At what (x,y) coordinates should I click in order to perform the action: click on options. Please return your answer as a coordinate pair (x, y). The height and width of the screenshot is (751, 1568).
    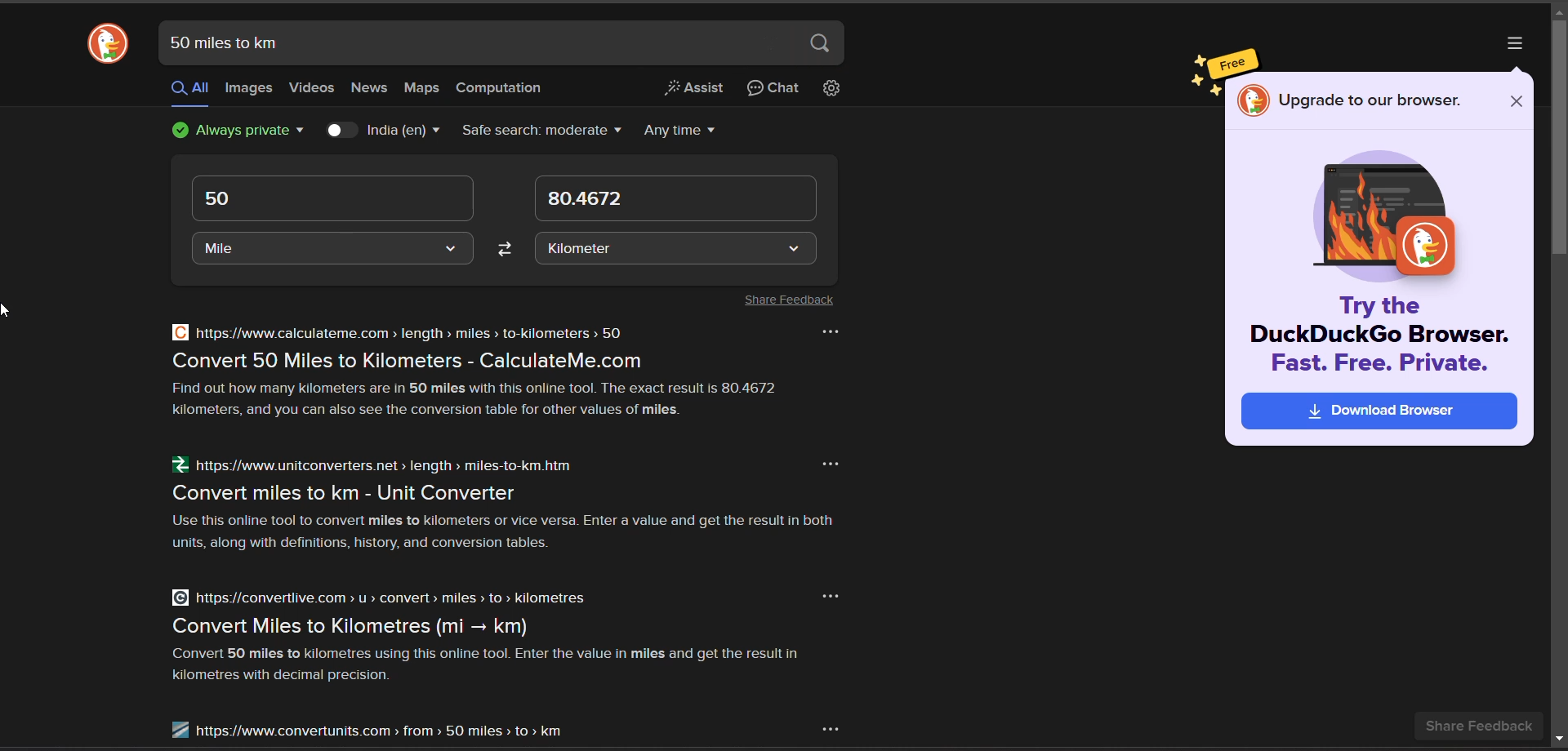
    Looking at the image, I should click on (1511, 42).